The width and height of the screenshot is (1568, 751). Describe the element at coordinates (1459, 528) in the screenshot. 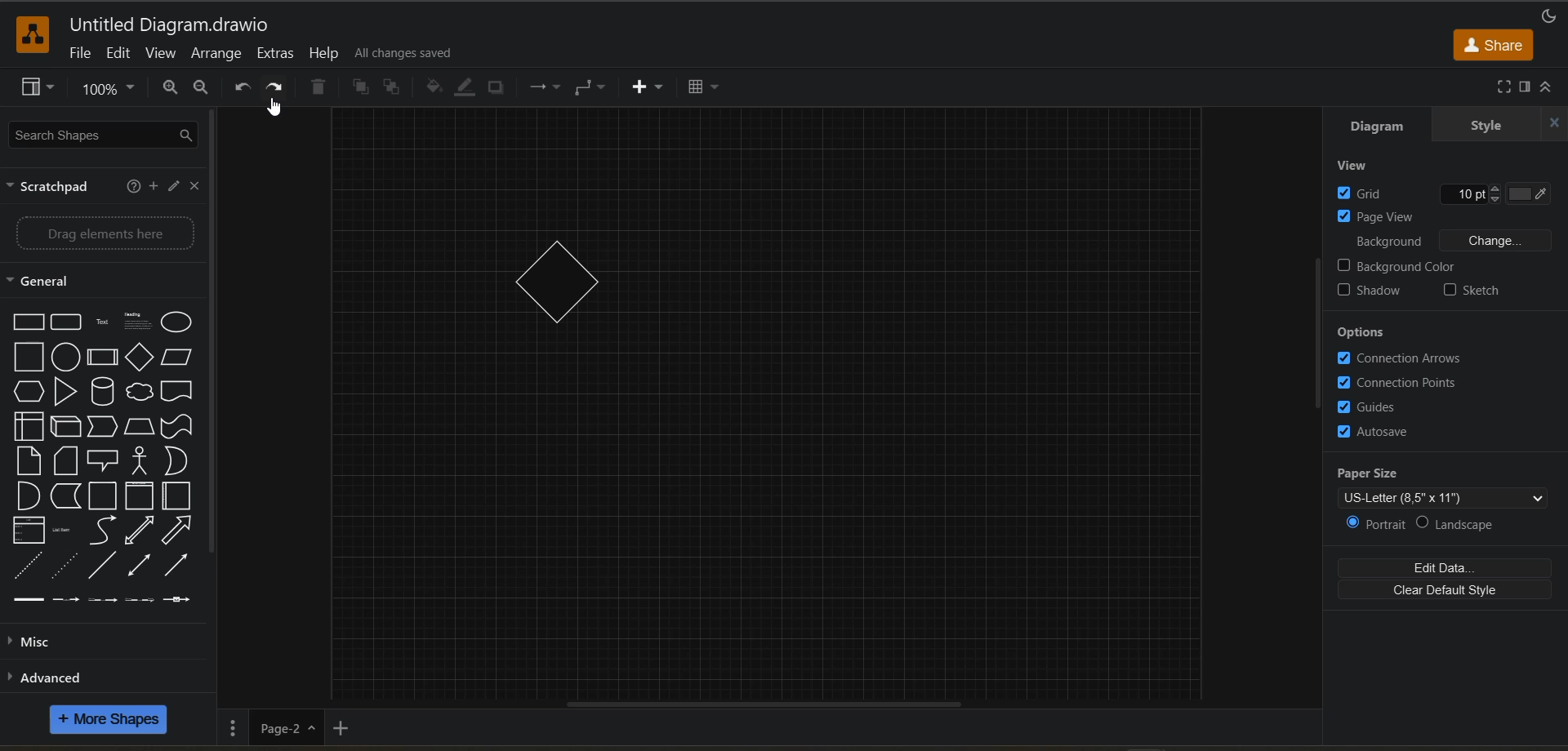

I see `landscape` at that location.